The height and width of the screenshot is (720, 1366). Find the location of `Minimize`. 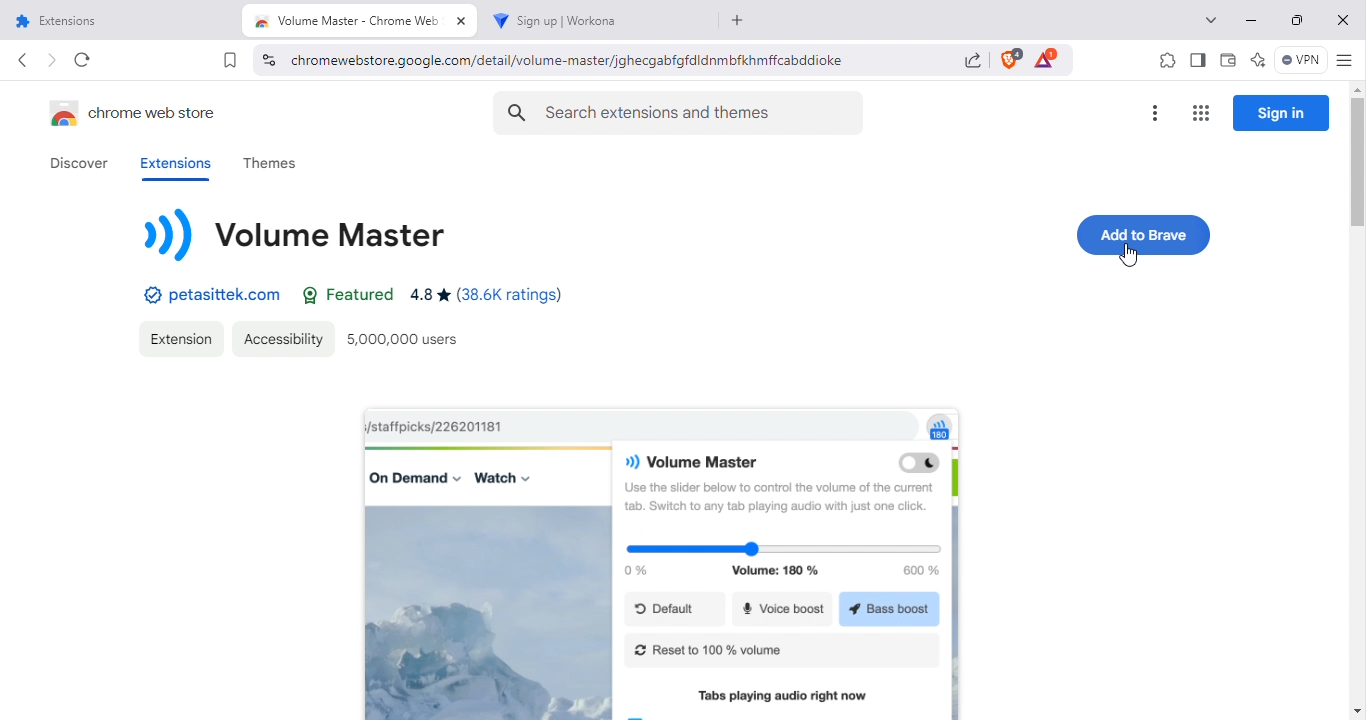

Minimize is located at coordinates (1250, 23).